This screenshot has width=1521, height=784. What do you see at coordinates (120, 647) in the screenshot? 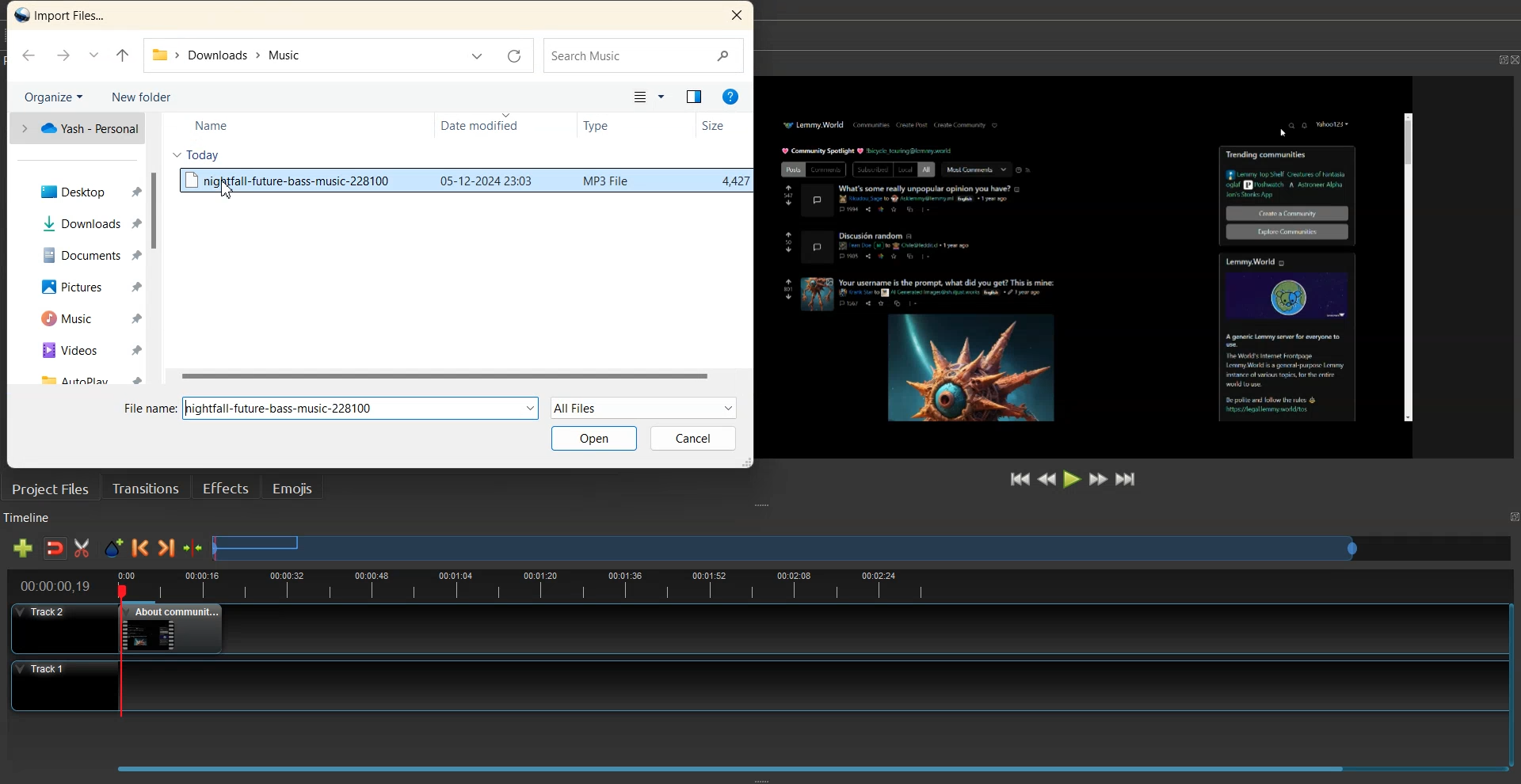
I see `playhead` at bounding box center [120, 647].